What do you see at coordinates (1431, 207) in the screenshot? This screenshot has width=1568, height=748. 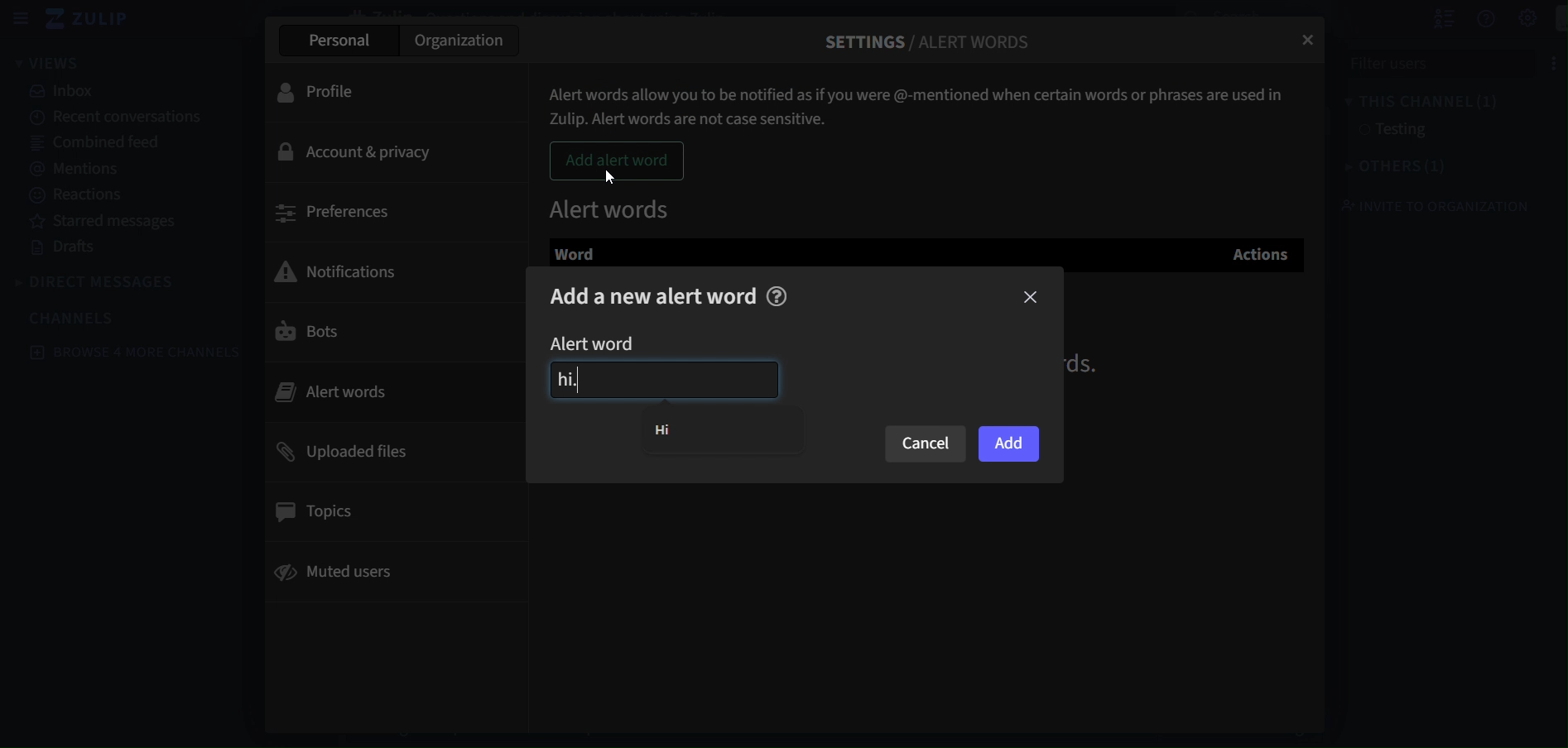 I see `invite to organization` at bounding box center [1431, 207].